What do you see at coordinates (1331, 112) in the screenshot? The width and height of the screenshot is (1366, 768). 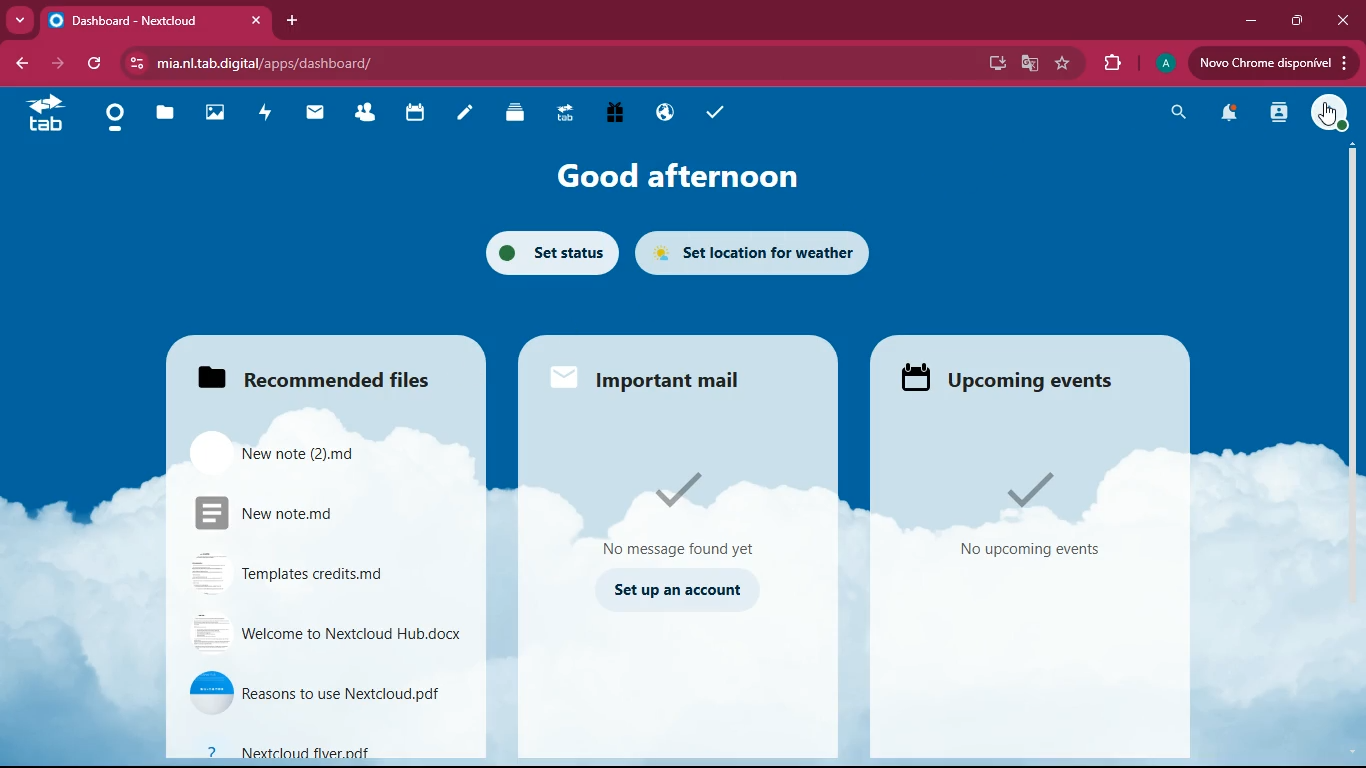 I see `profile` at bounding box center [1331, 112].